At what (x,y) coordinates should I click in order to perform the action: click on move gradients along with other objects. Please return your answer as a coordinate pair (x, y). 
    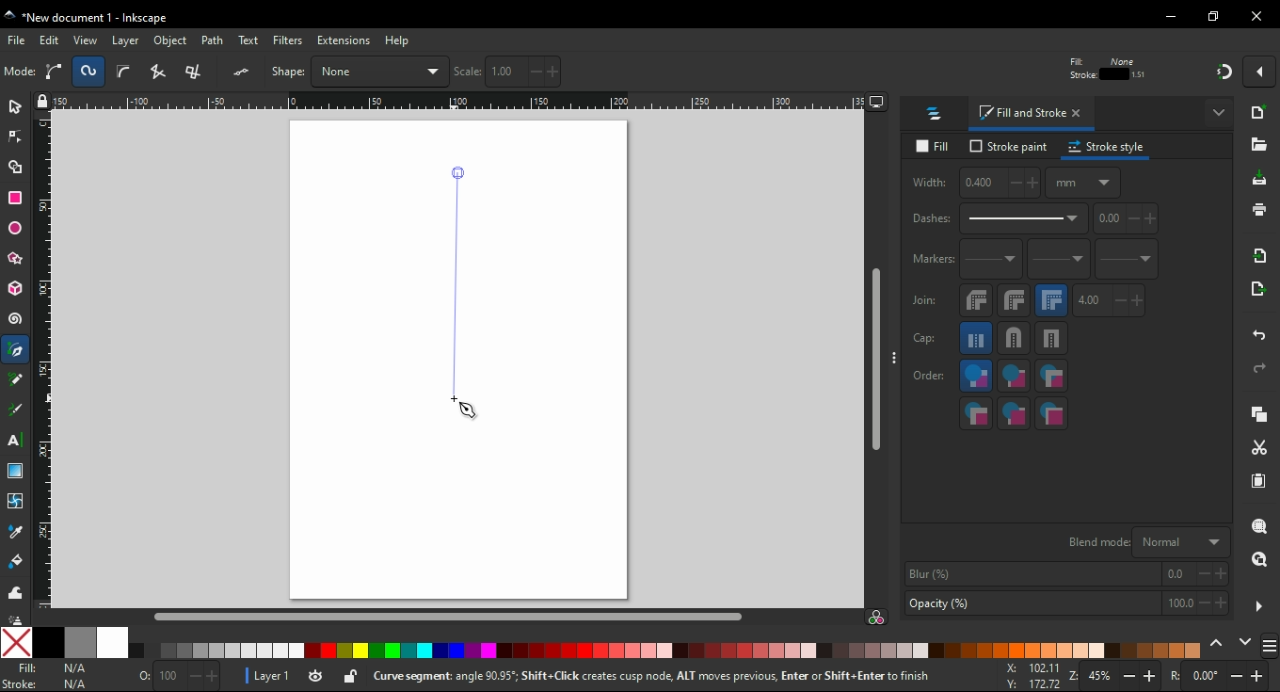
    Looking at the image, I should click on (1142, 72).